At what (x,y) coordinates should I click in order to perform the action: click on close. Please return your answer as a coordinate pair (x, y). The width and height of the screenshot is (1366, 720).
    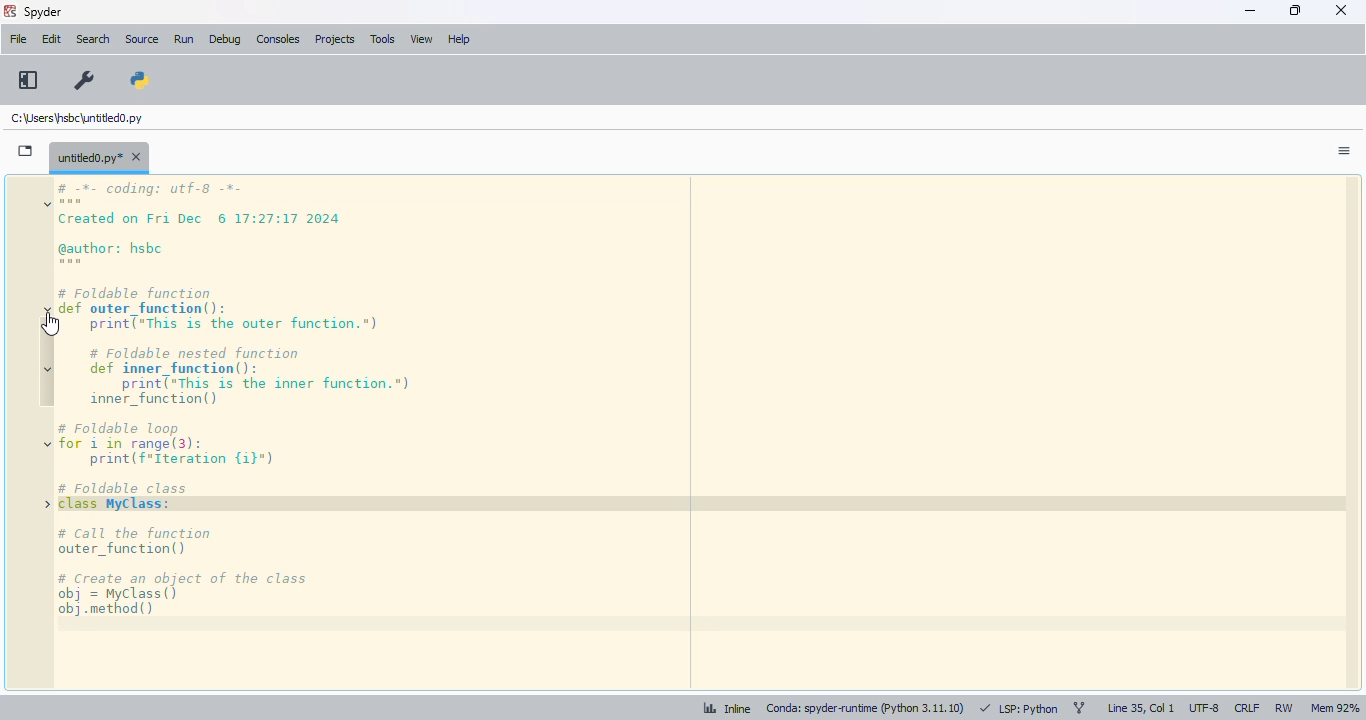
    Looking at the image, I should click on (1341, 10).